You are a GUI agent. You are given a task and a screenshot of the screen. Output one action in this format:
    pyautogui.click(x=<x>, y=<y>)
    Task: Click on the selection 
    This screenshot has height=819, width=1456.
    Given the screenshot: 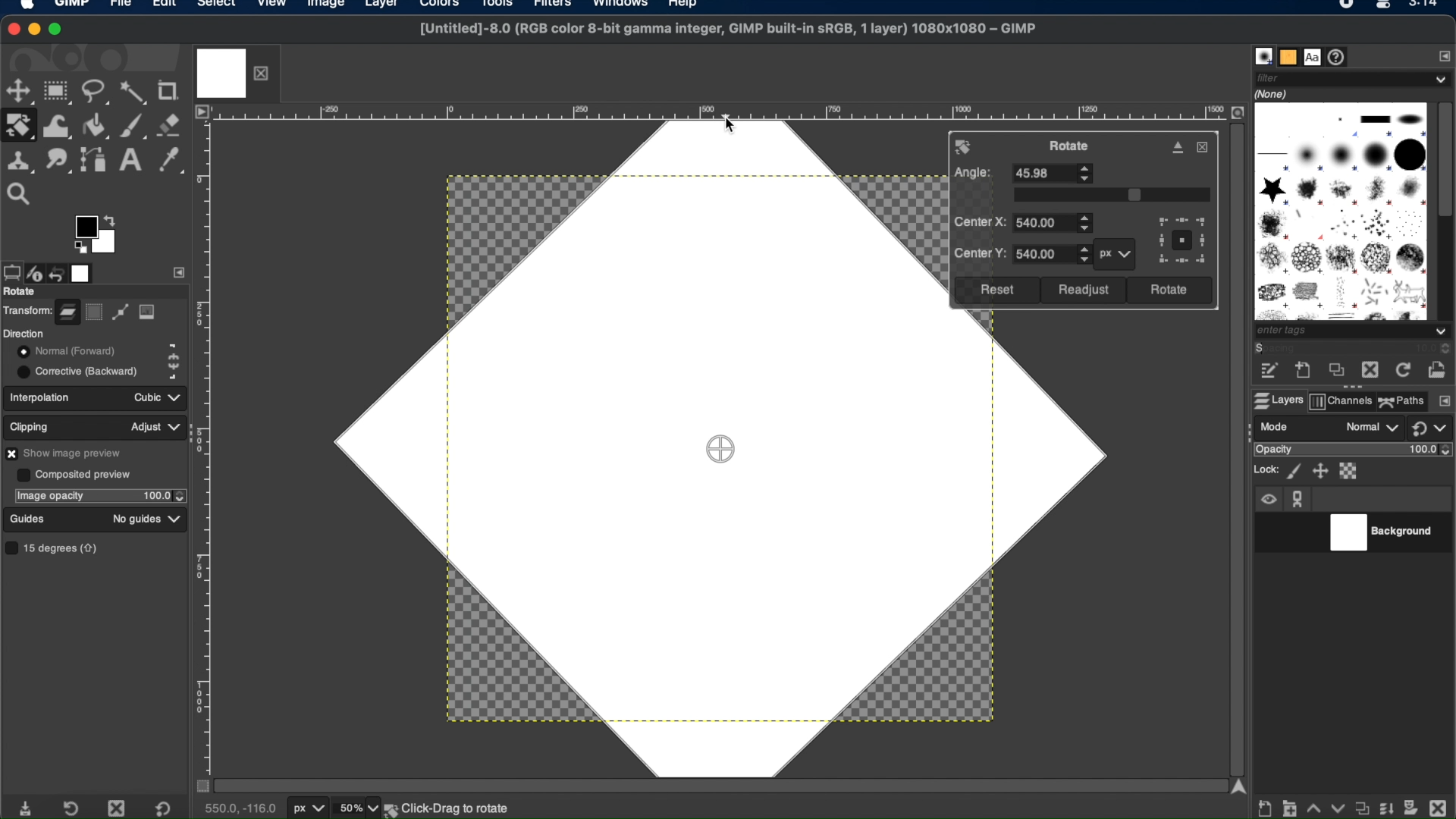 What is the action you would take?
    pyautogui.click(x=95, y=312)
    